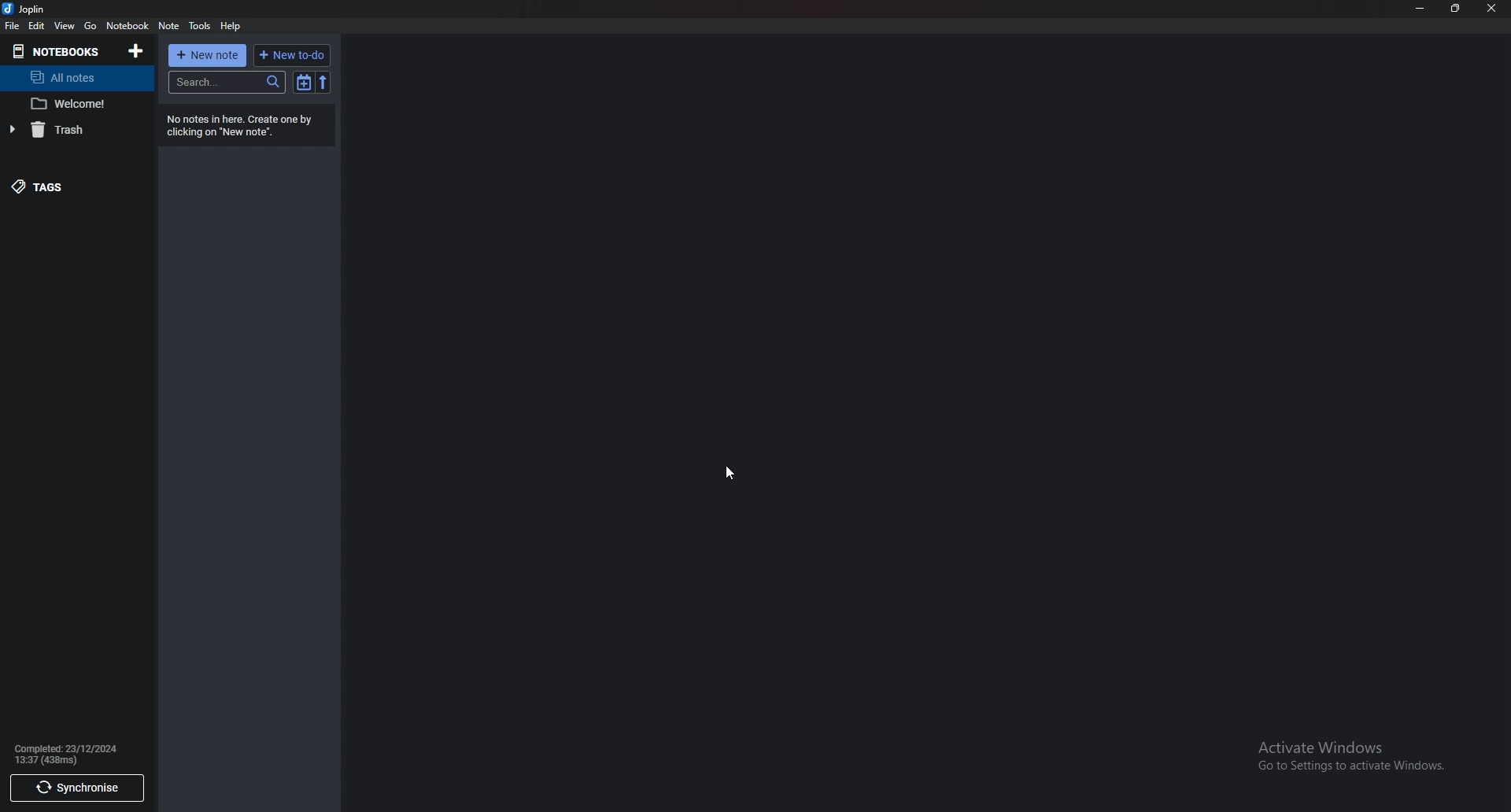 Image resolution: width=1511 pixels, height=812 pixels. Describe the element at coordinates (306, 83) in the screenshot. I see `Toggle sort order` at that location.